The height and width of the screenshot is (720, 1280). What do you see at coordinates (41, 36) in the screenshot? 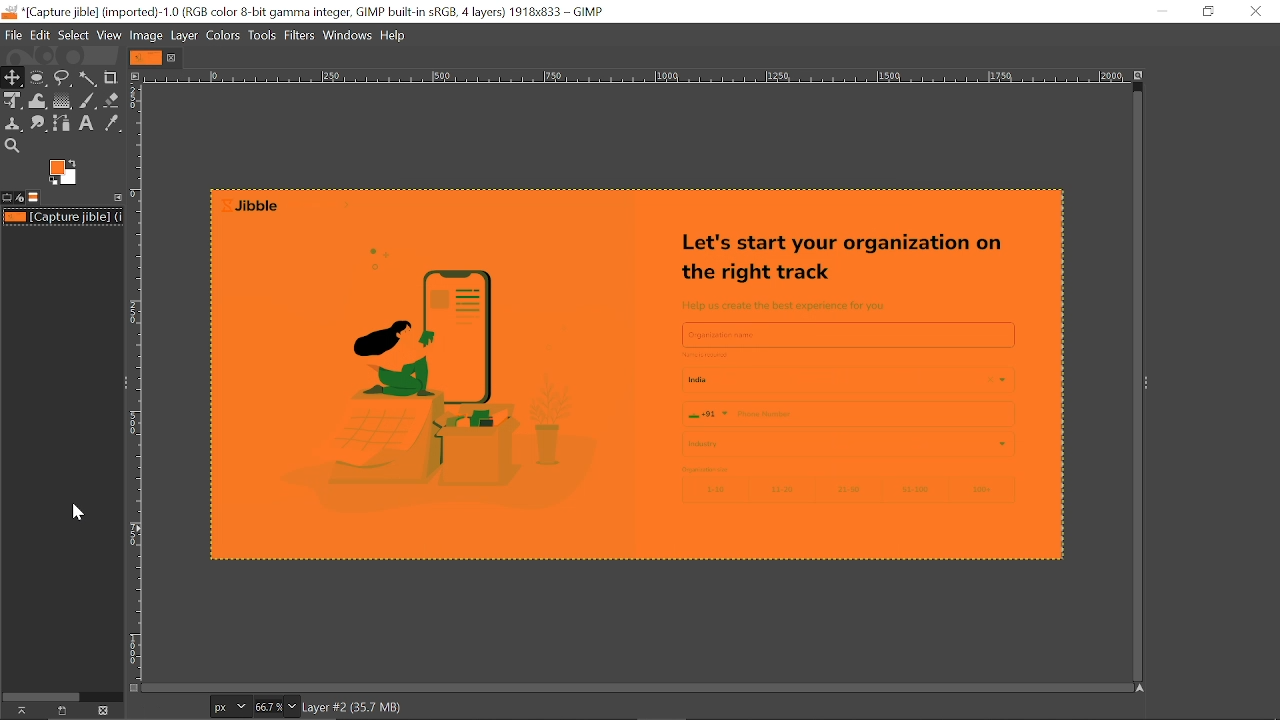
I see `Edit` at bounding box center [41, 36].